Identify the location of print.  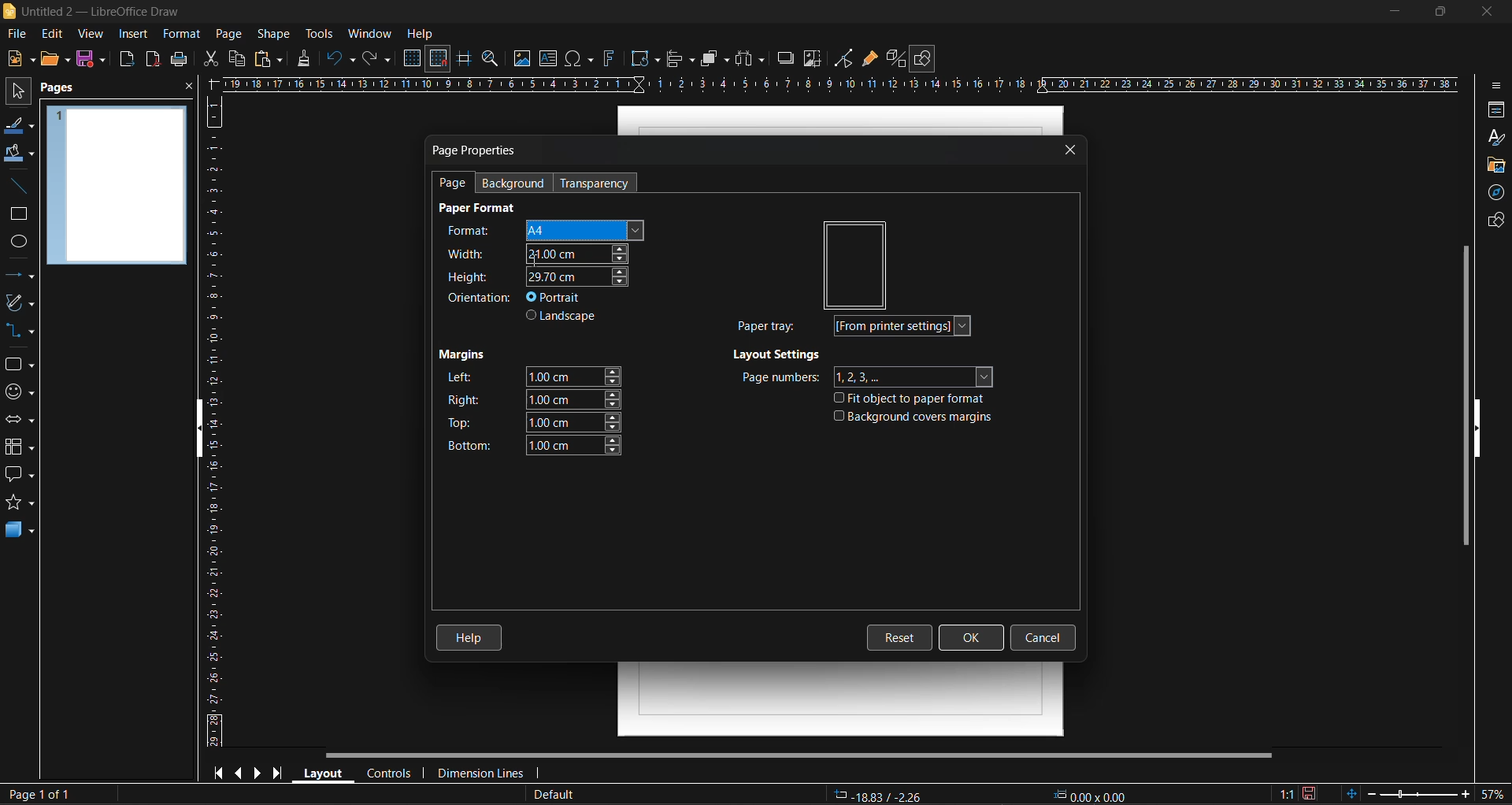
(180, 60).